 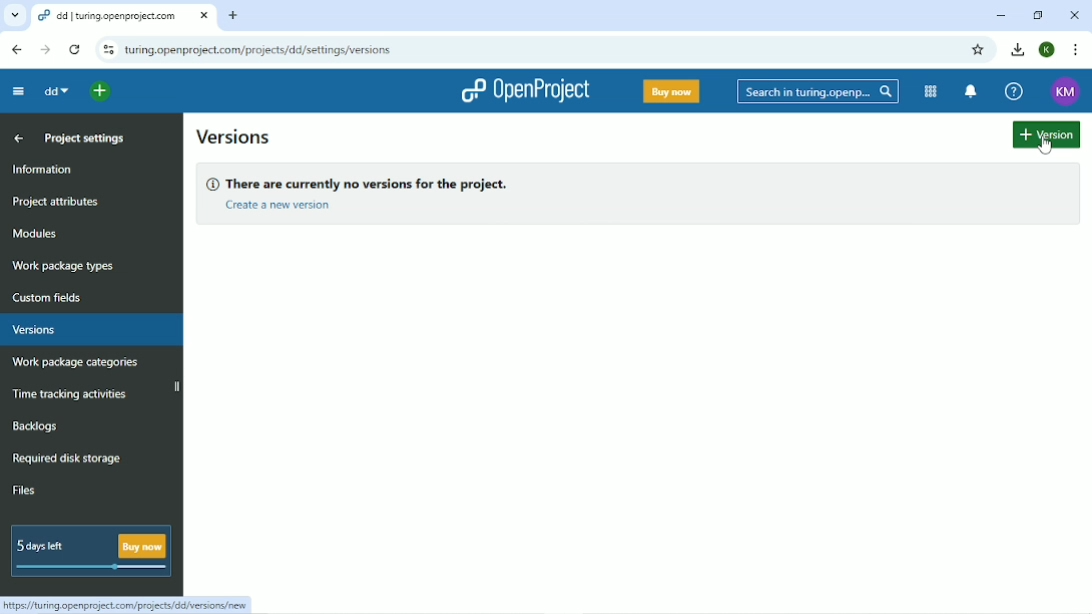 What do you see at coordinates (930, 91) in the screenshot?
I see `Modules` at bounding box center [930, 91].